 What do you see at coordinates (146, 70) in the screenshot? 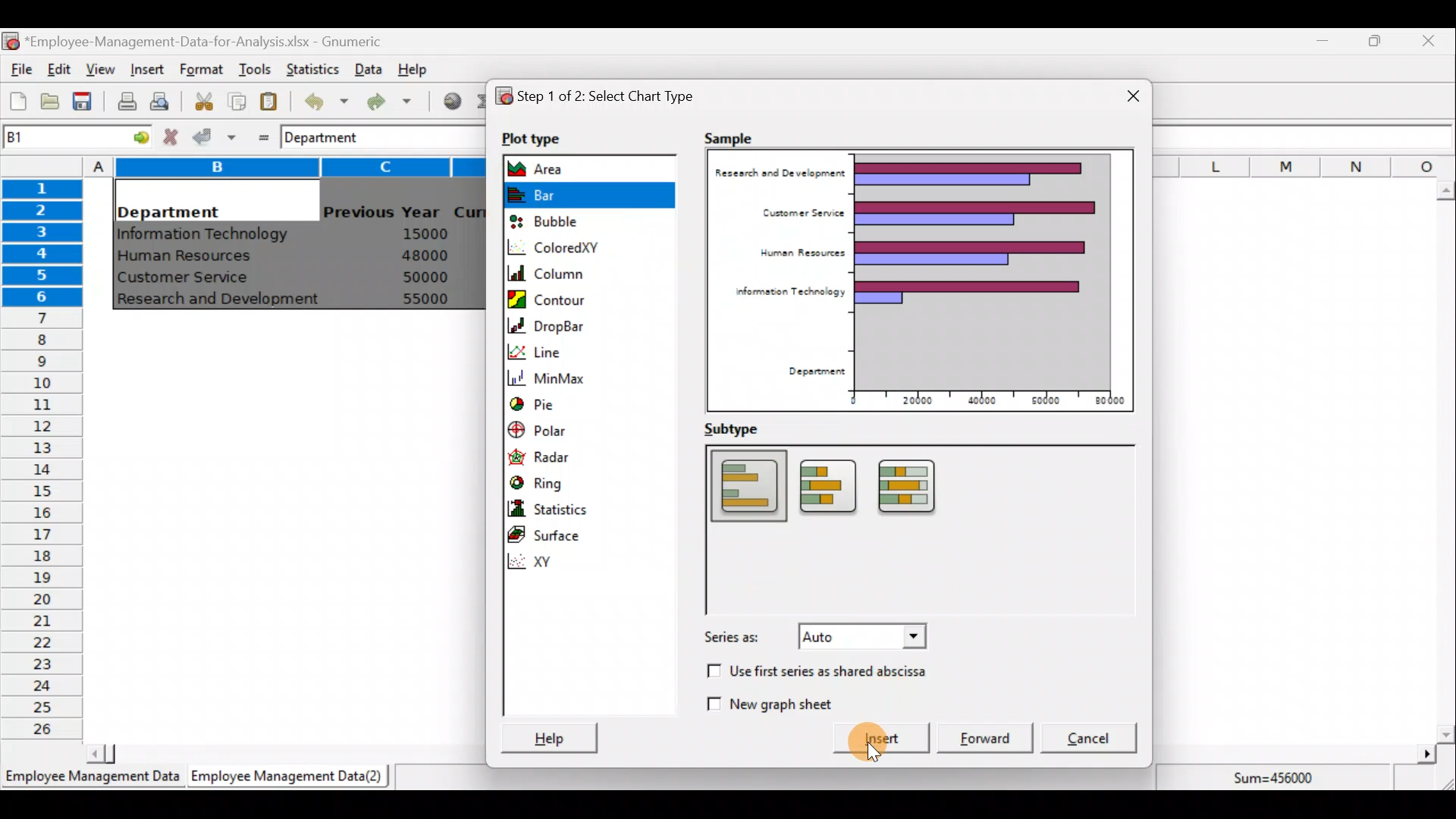
I see `Insert` at bounding box center [146, 70].